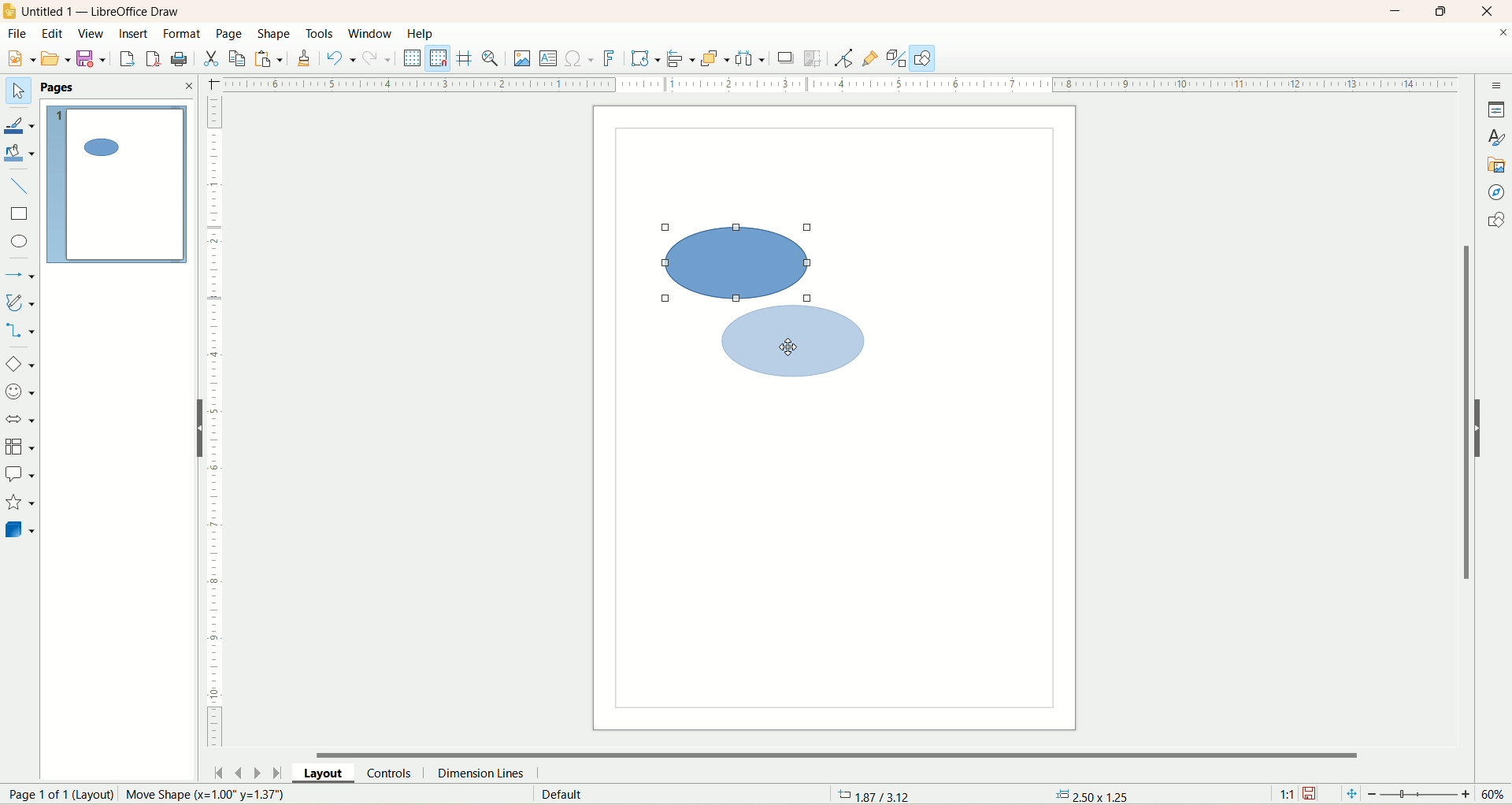 This screenshot has width=1512, height=805. I want to click on page 1, so click(117, 183).